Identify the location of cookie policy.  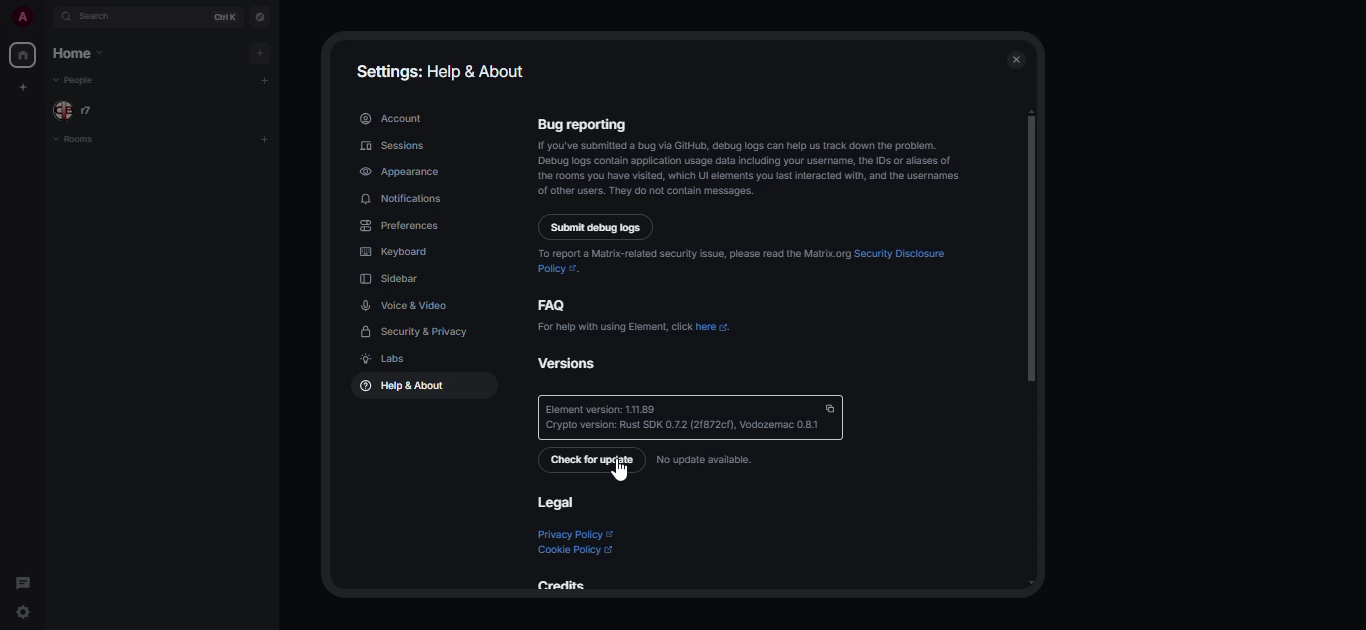
(576, 550).